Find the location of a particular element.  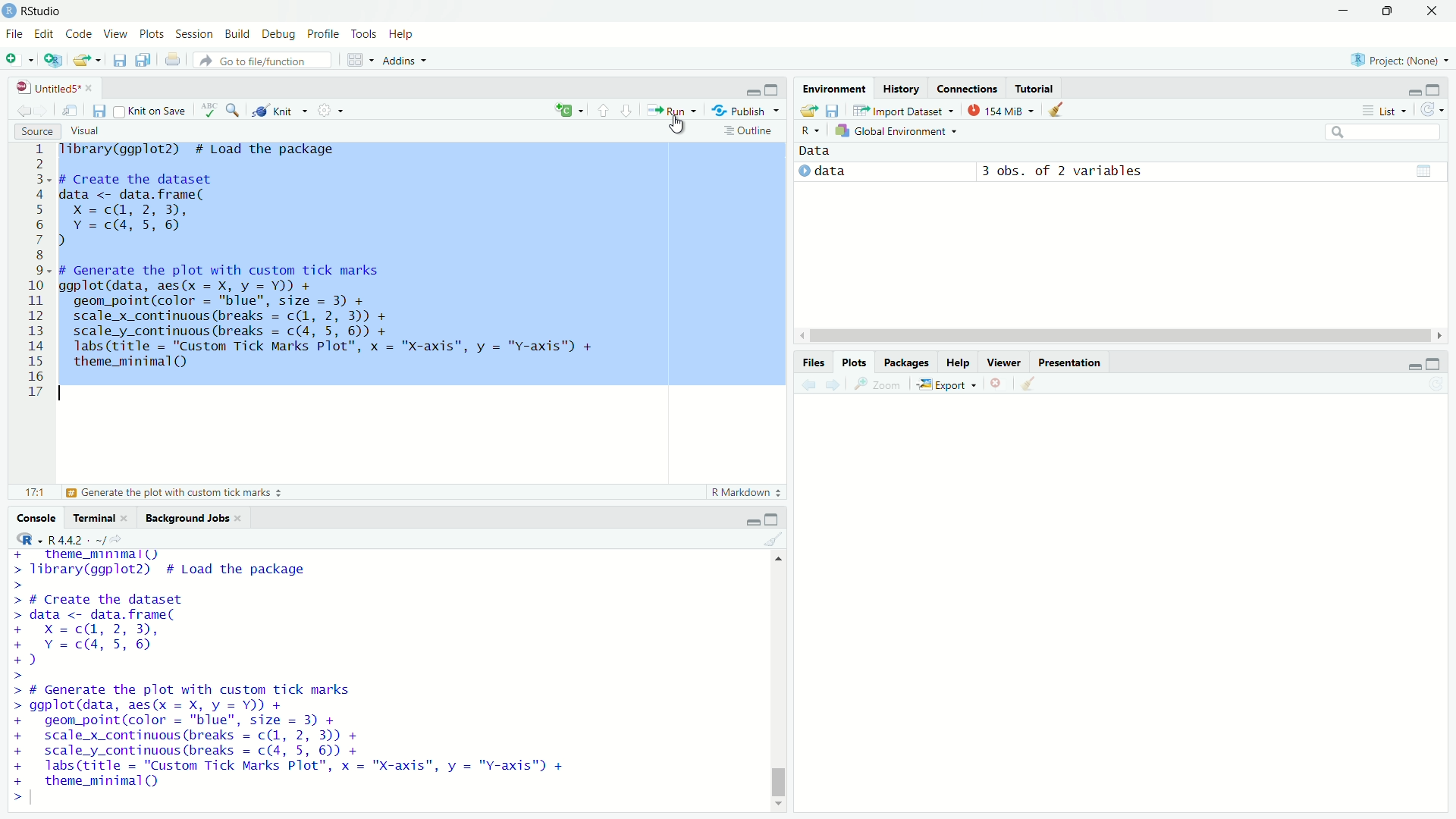

clear console is located at coordinates (773, 539).